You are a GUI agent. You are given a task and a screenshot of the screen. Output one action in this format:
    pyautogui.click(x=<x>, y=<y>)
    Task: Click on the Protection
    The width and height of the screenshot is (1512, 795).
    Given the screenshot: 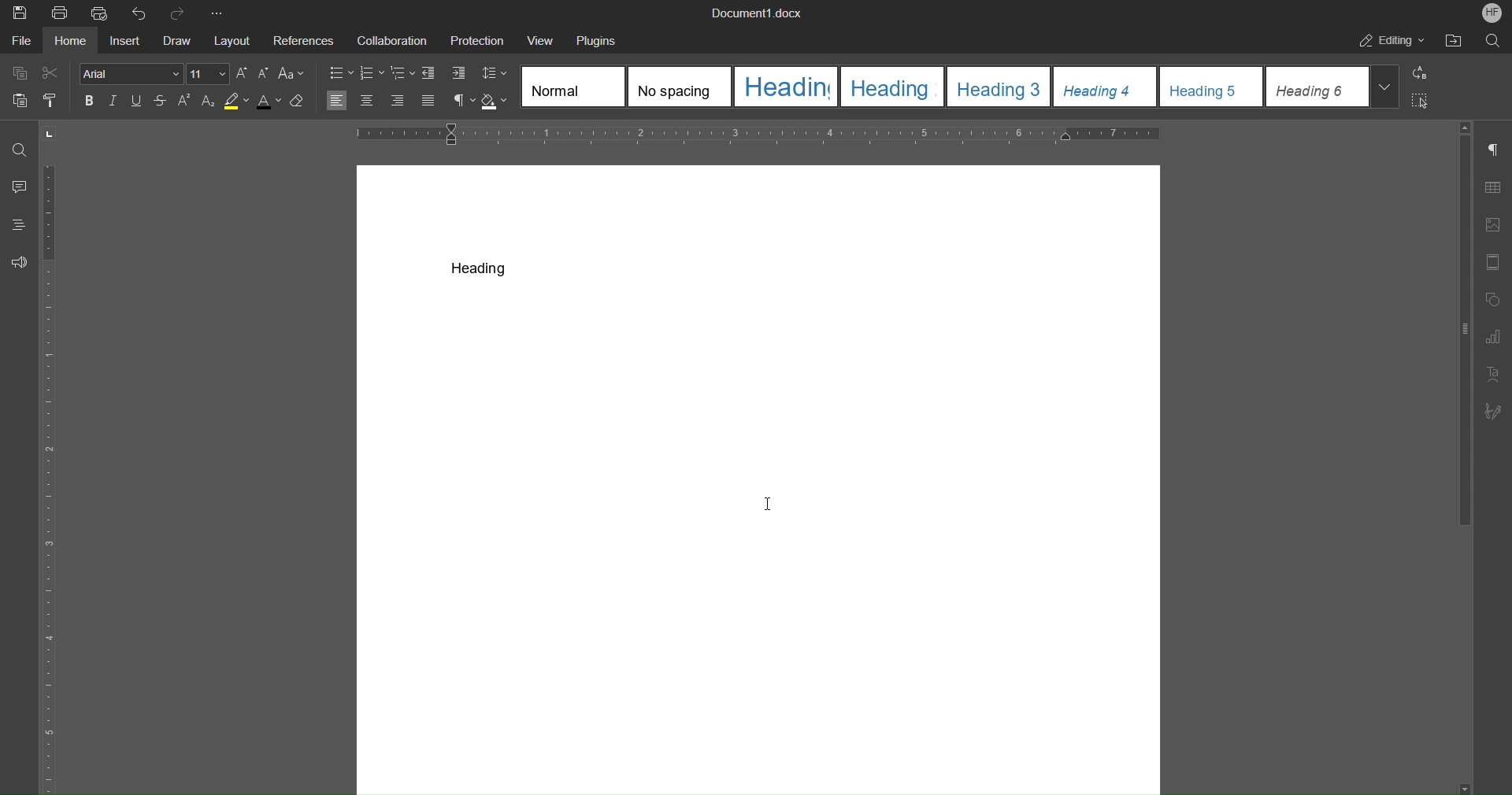 What is the action you would take?
    pyautogui.click(x=473, y=39)
    